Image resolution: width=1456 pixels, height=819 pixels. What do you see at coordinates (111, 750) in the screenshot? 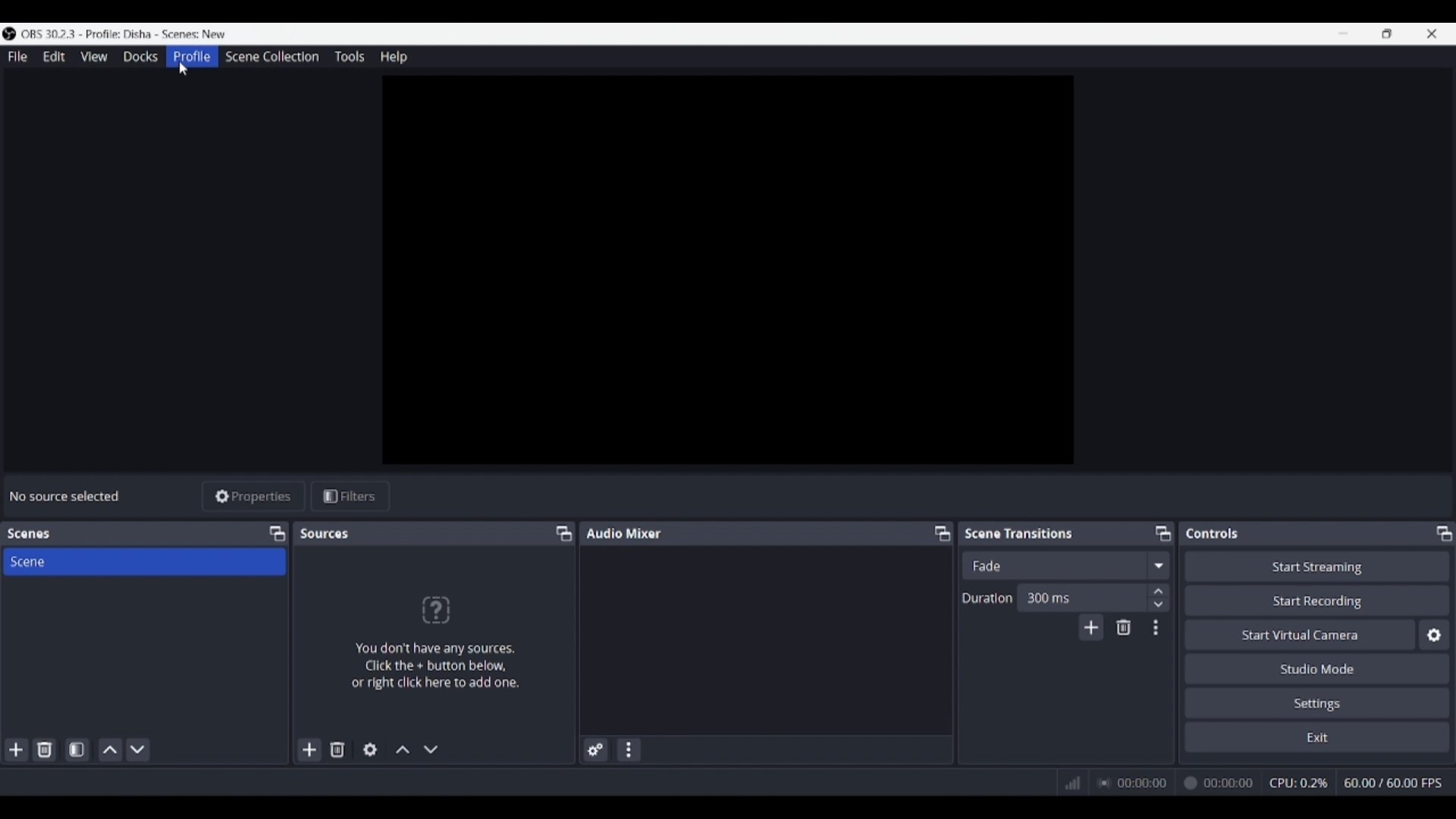
I see `Move scene up` at bounding box center [111, 750].